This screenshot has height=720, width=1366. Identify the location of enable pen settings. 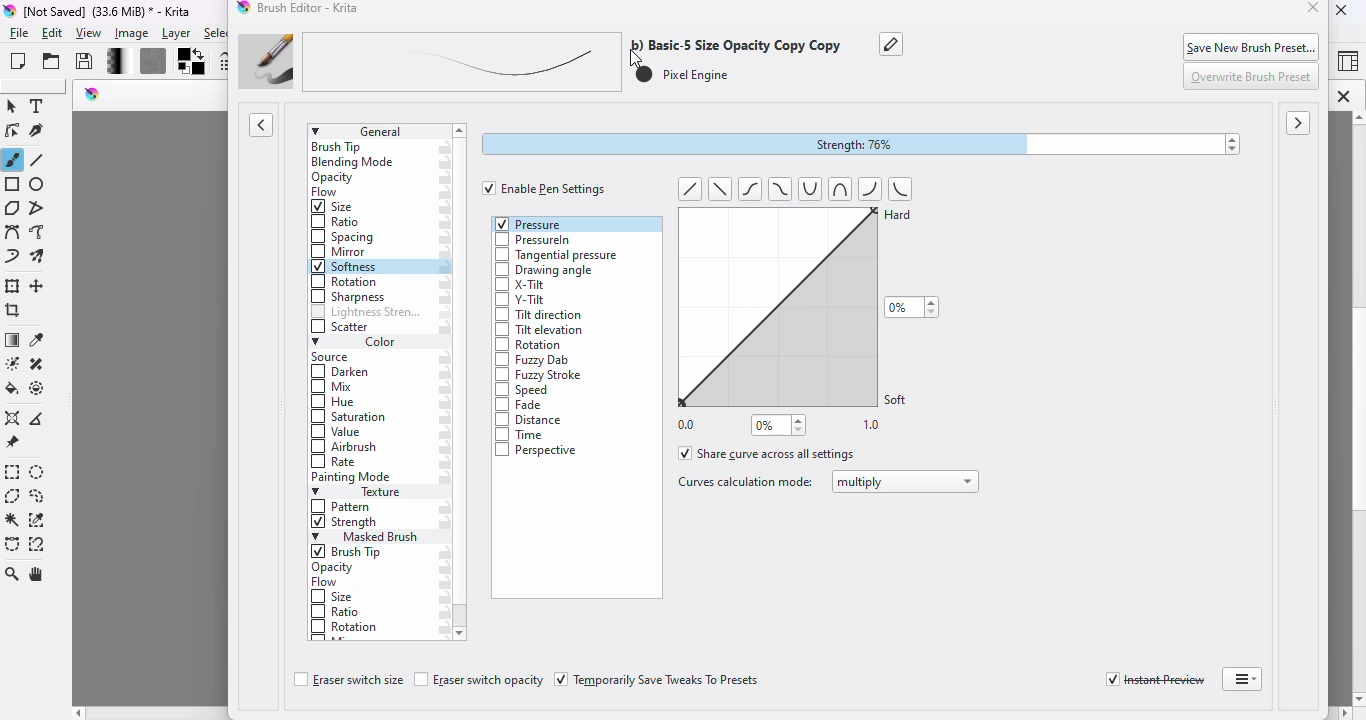
(545, 188).